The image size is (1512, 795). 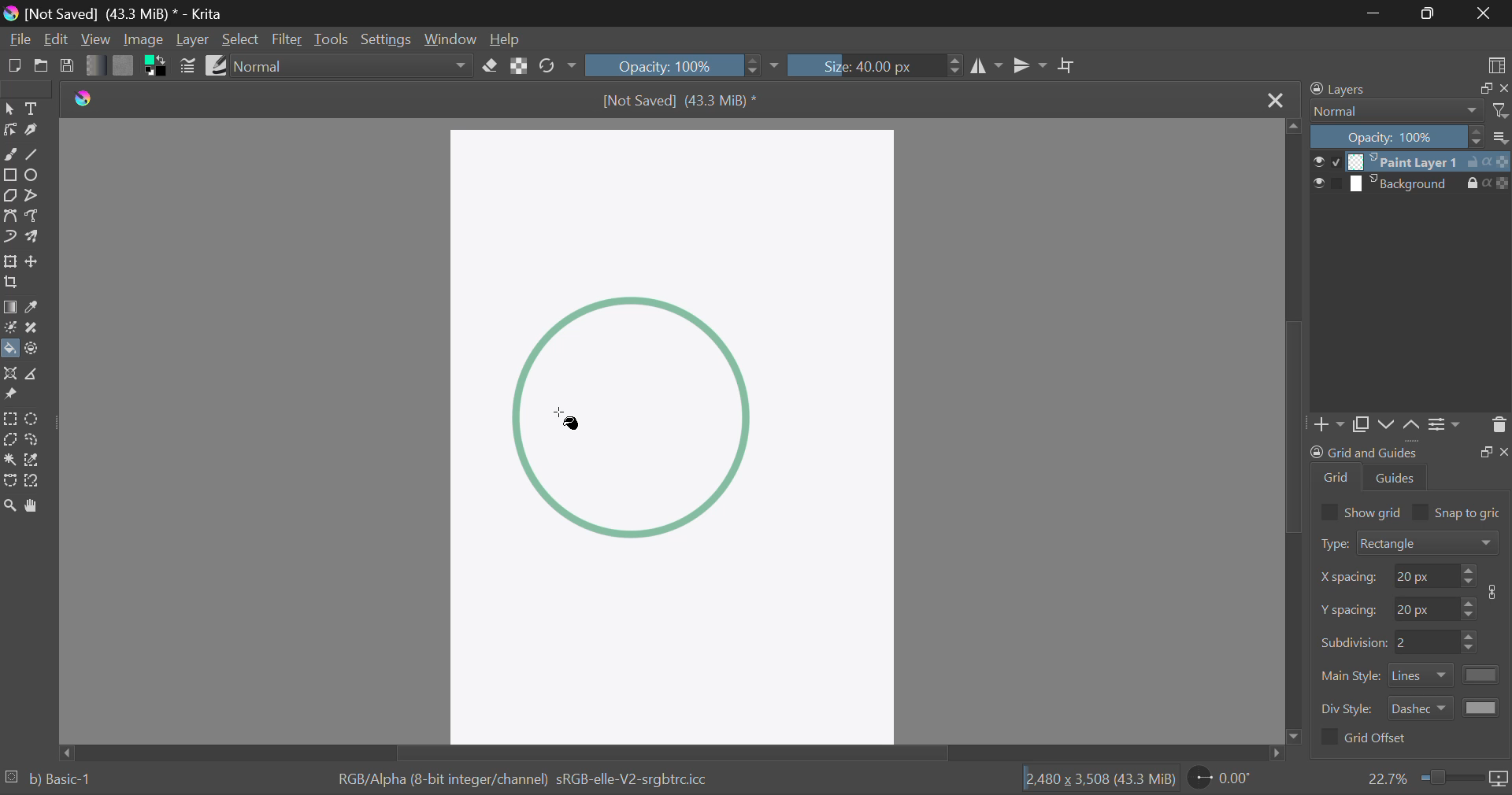 What do you see at coordinates (9, 441) in the screenshot?
I see `Polygon Selection` at bounding box center [9, 441].